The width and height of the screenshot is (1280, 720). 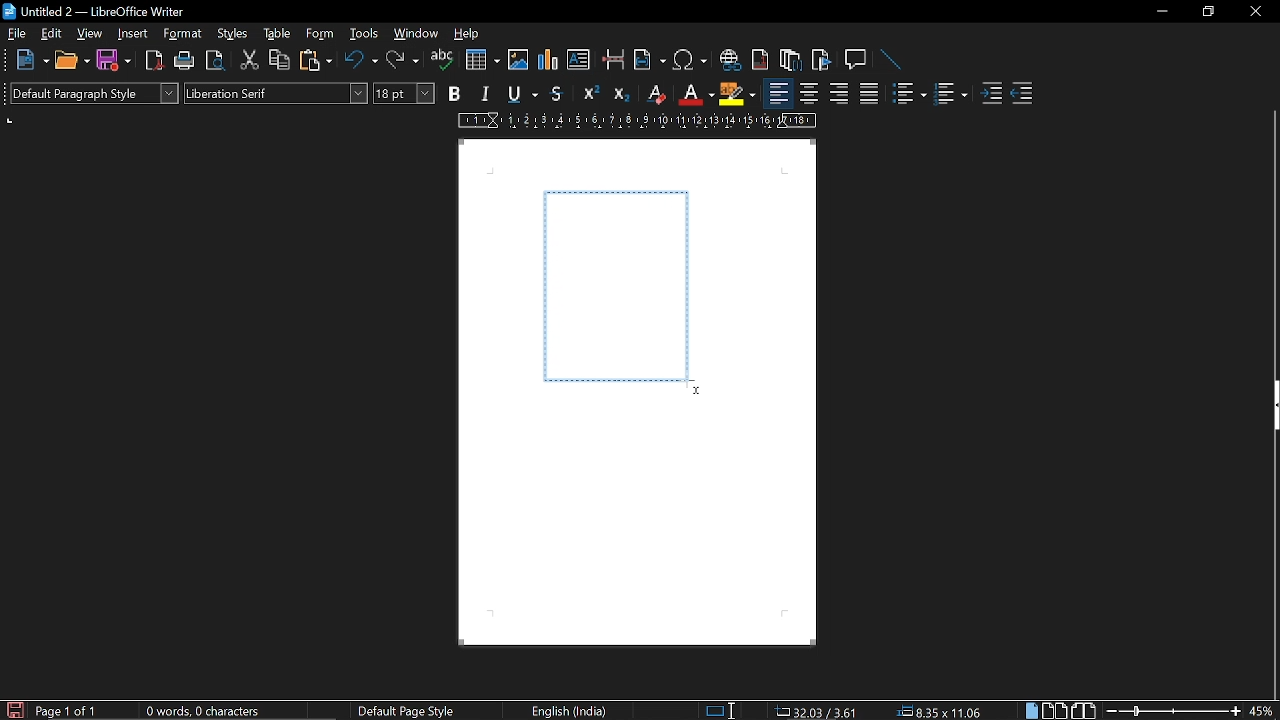 What do you see at coordinates (908, 94) in the screenshot?
I see `toggle unordered list` at bounding box center [908, 94].